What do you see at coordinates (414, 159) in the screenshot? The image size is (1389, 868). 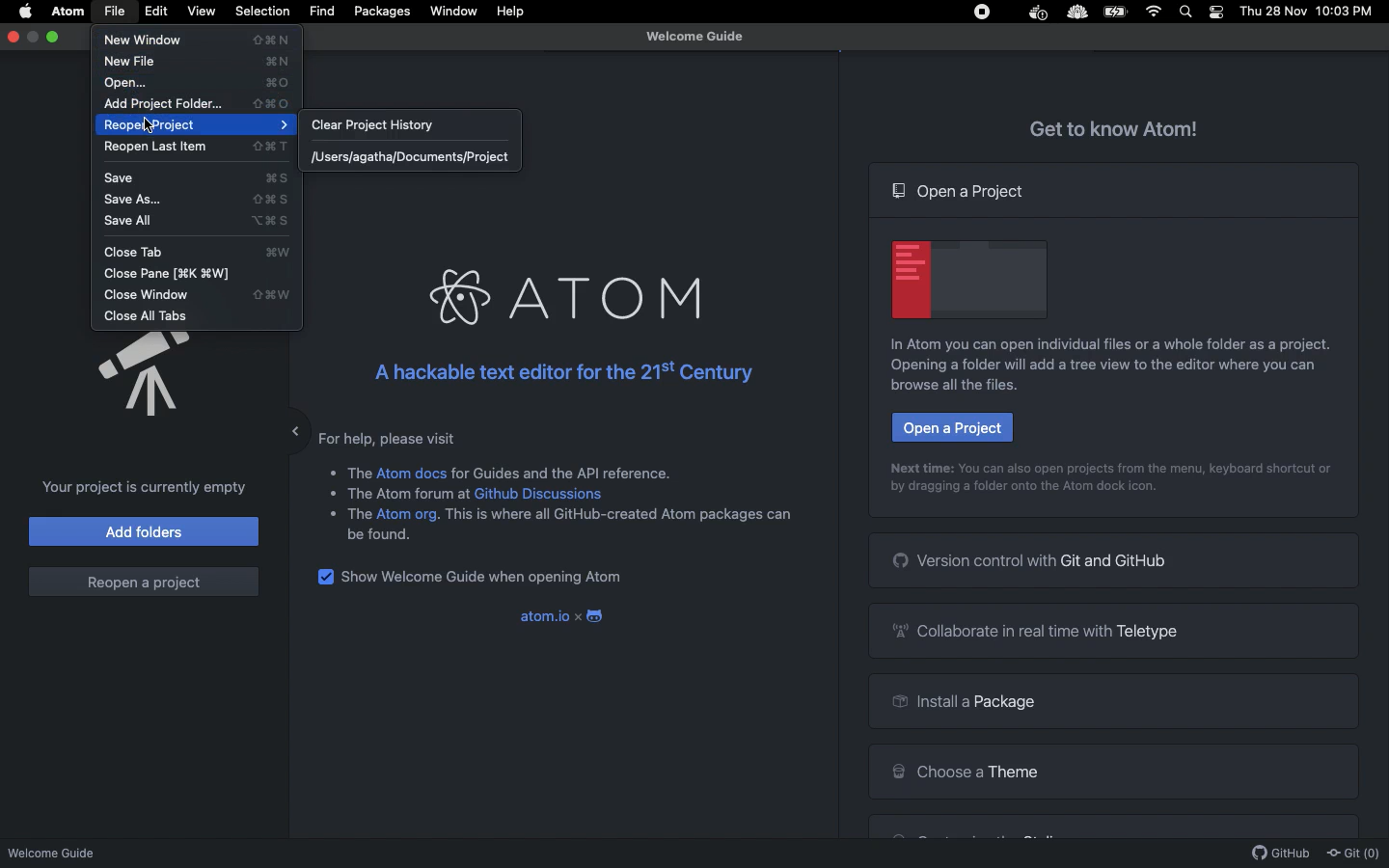 I see `Recent project` at bounding box center [414, 159].